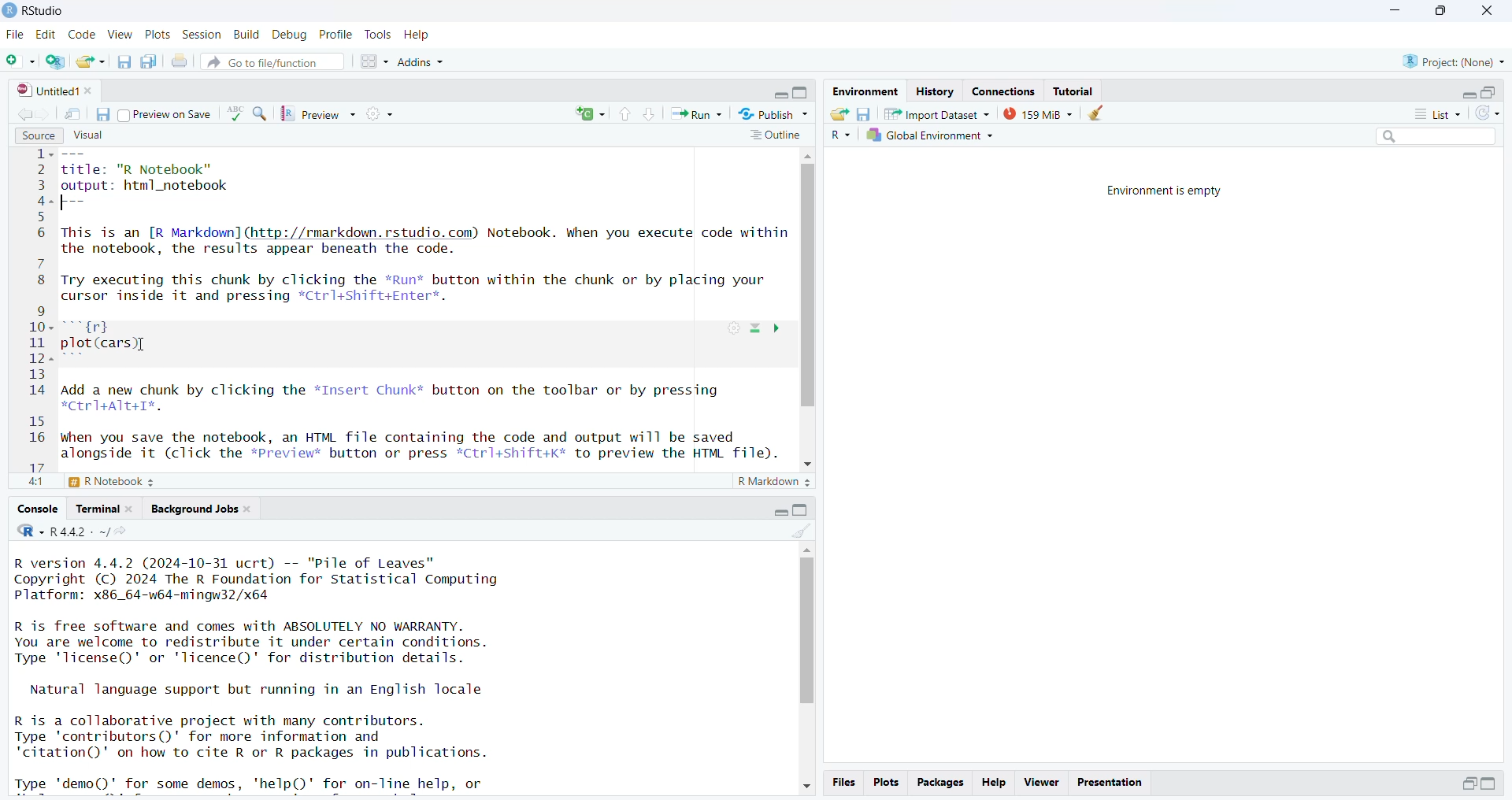  I want to click on tutorial, so click(1075, 91).